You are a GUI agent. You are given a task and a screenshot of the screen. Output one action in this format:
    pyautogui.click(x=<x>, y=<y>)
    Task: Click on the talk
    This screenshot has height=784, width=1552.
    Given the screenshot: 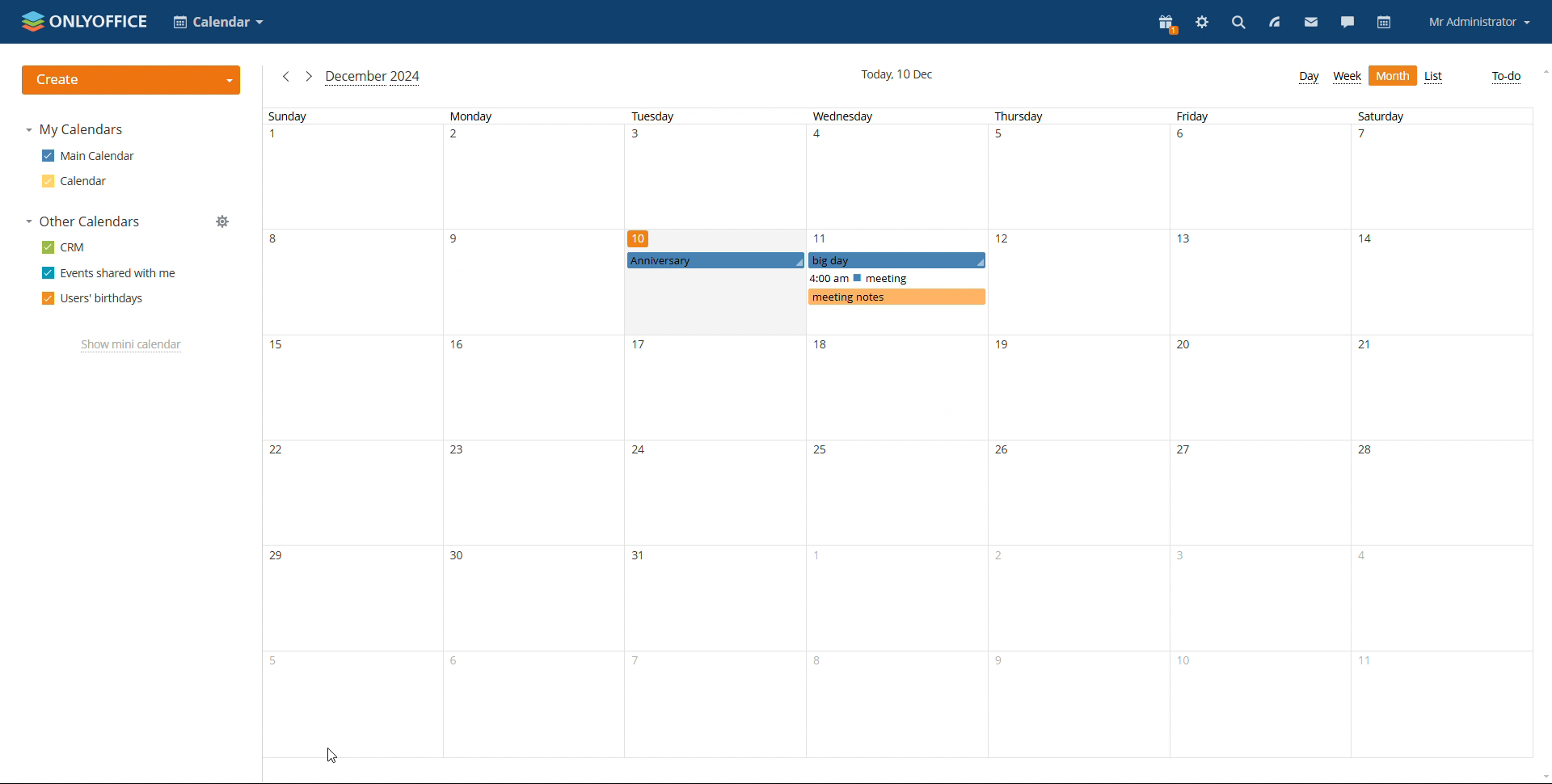 What is the action you would take?
    pyautogui.click(x=1346, y=23)
    